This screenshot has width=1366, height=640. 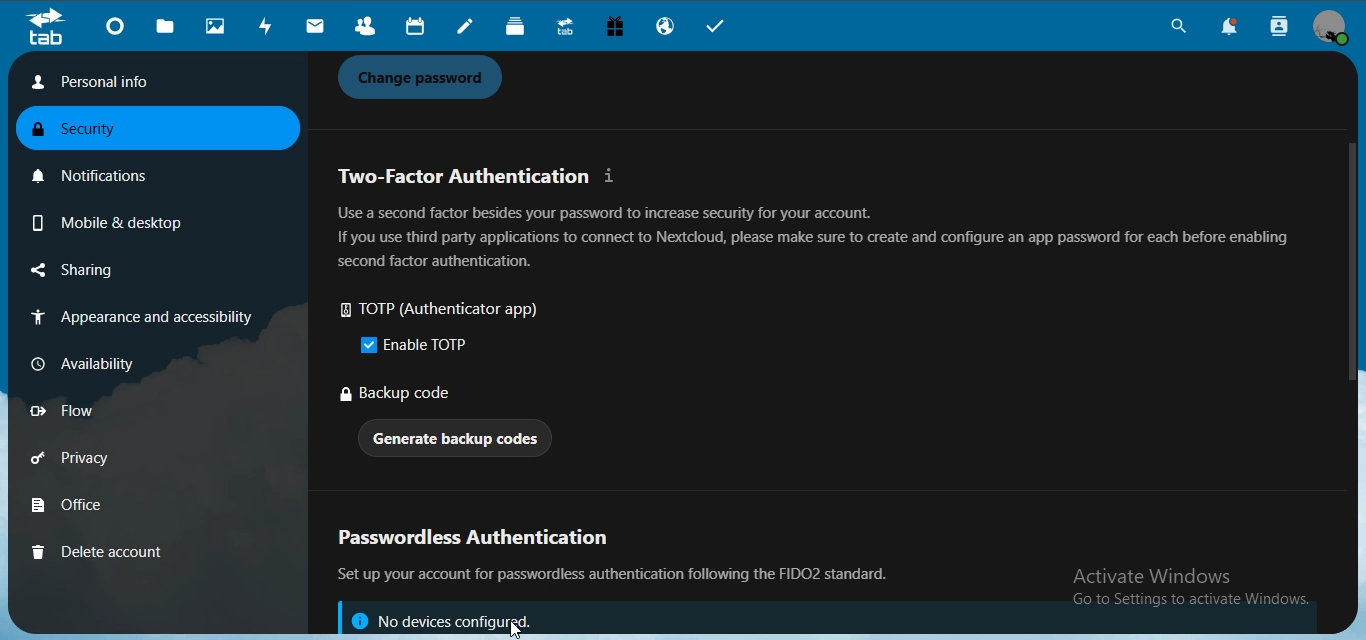 I want to click on cursor, so click(x=518, y=629).